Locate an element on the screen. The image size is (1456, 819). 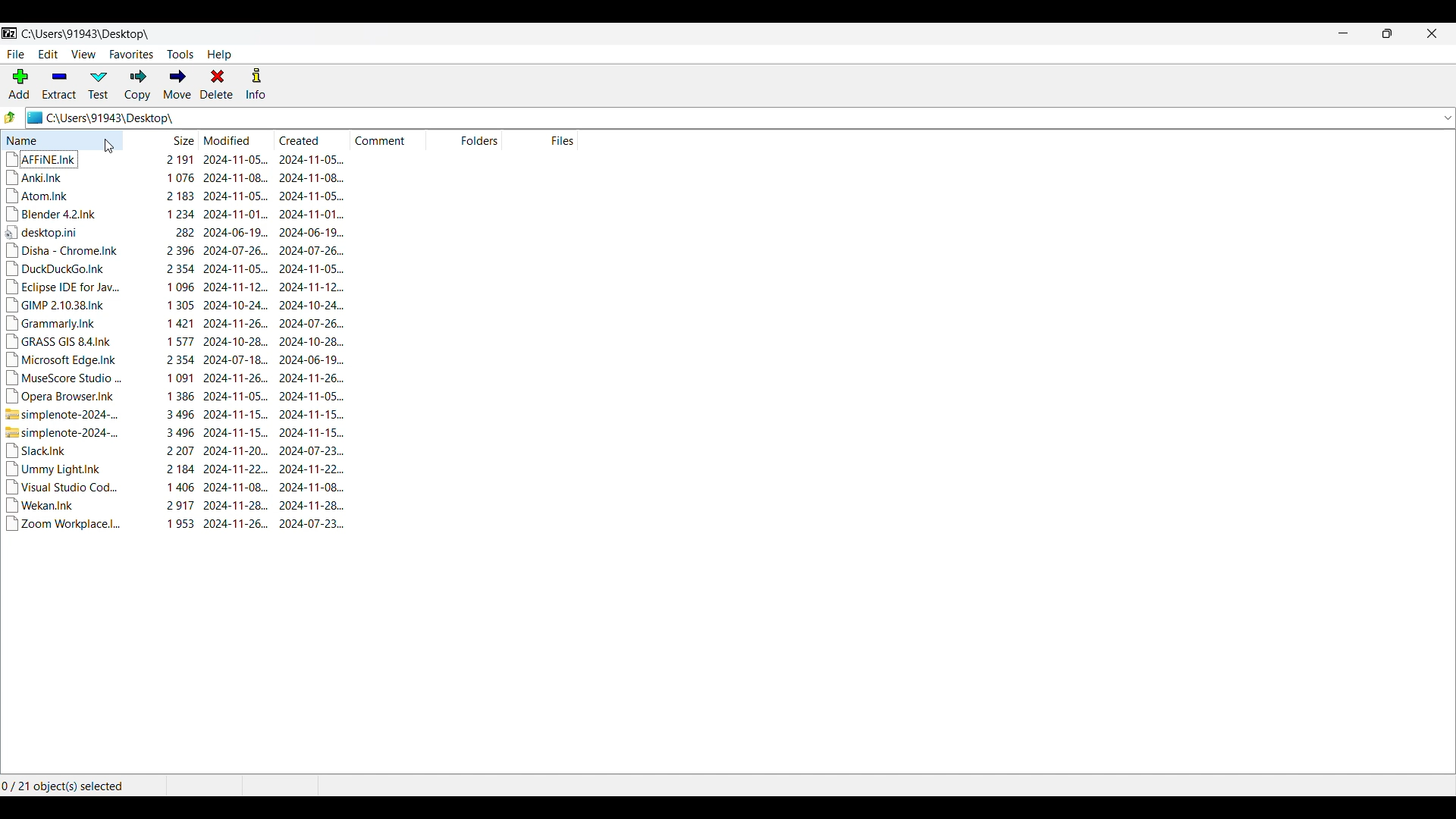
Anki.Ink 1076 2024-11-08... 2024-11-08... is located at coordinates (176, 178).